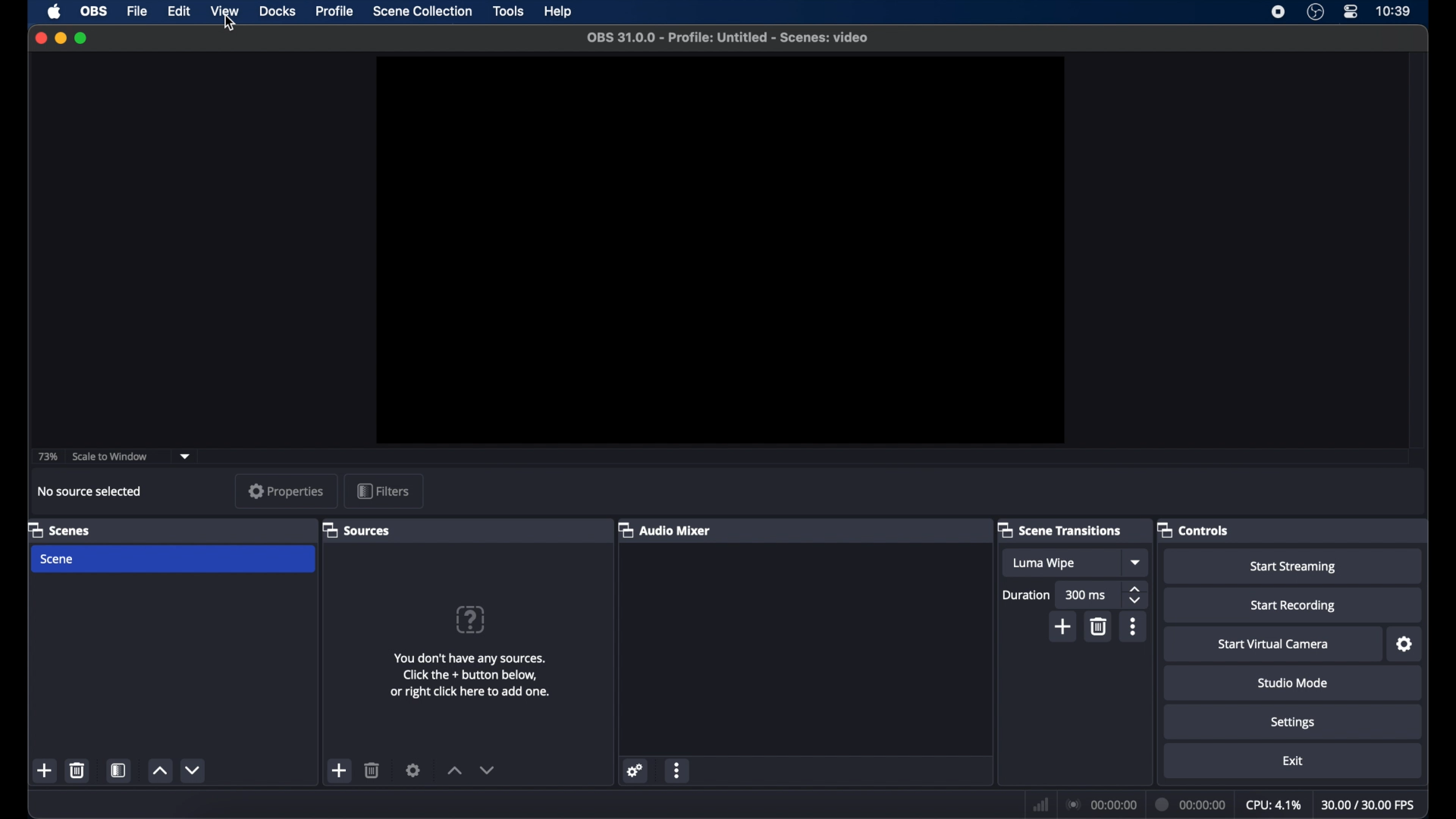 Image resolution: width=1456 pixels, height=819 pixels. Describe the element at coordinates (41, 37) in the screenshot. I see `close` at that location.